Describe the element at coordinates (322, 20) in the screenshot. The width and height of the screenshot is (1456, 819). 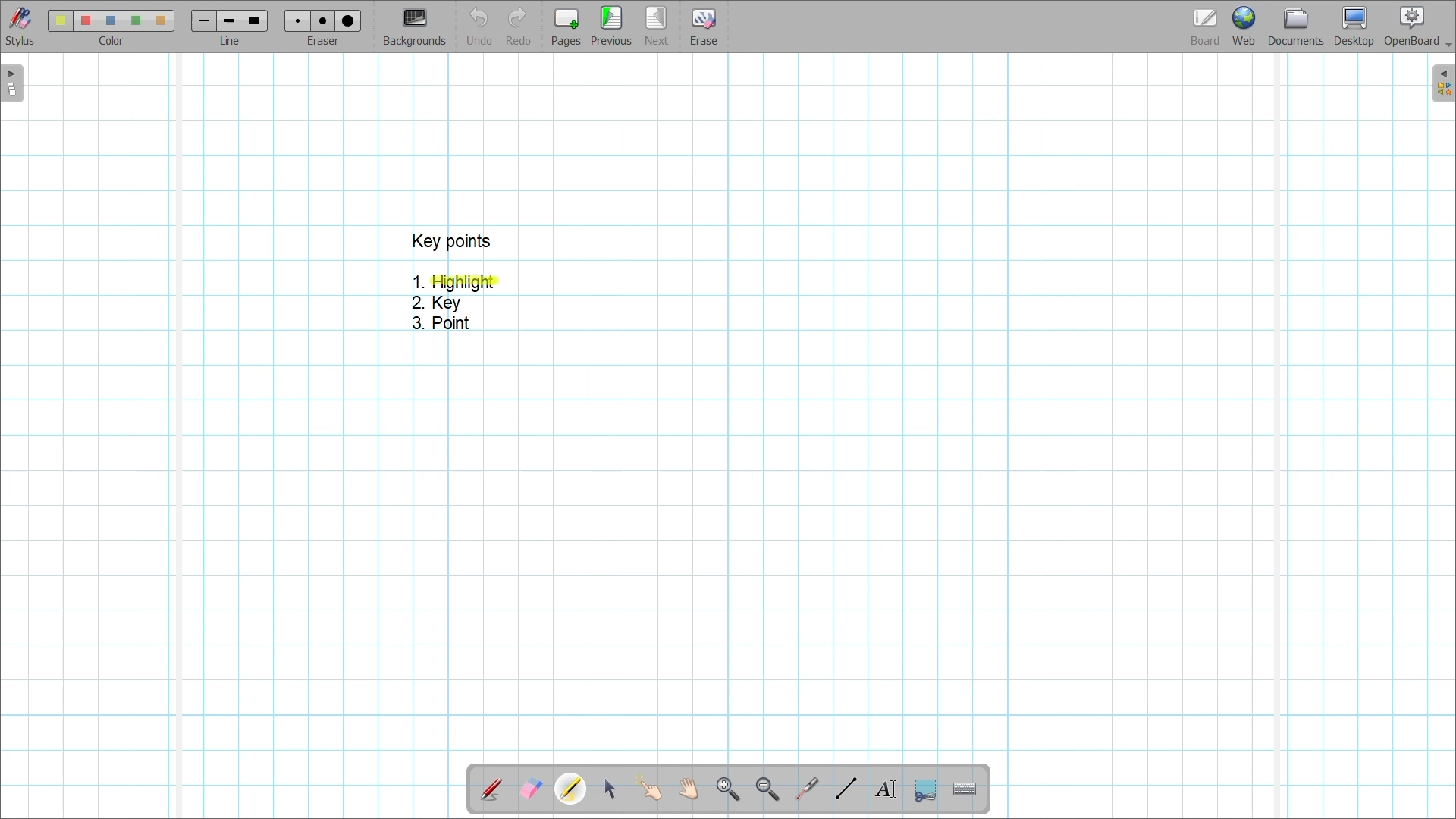
I see `eraser 2` at that location.